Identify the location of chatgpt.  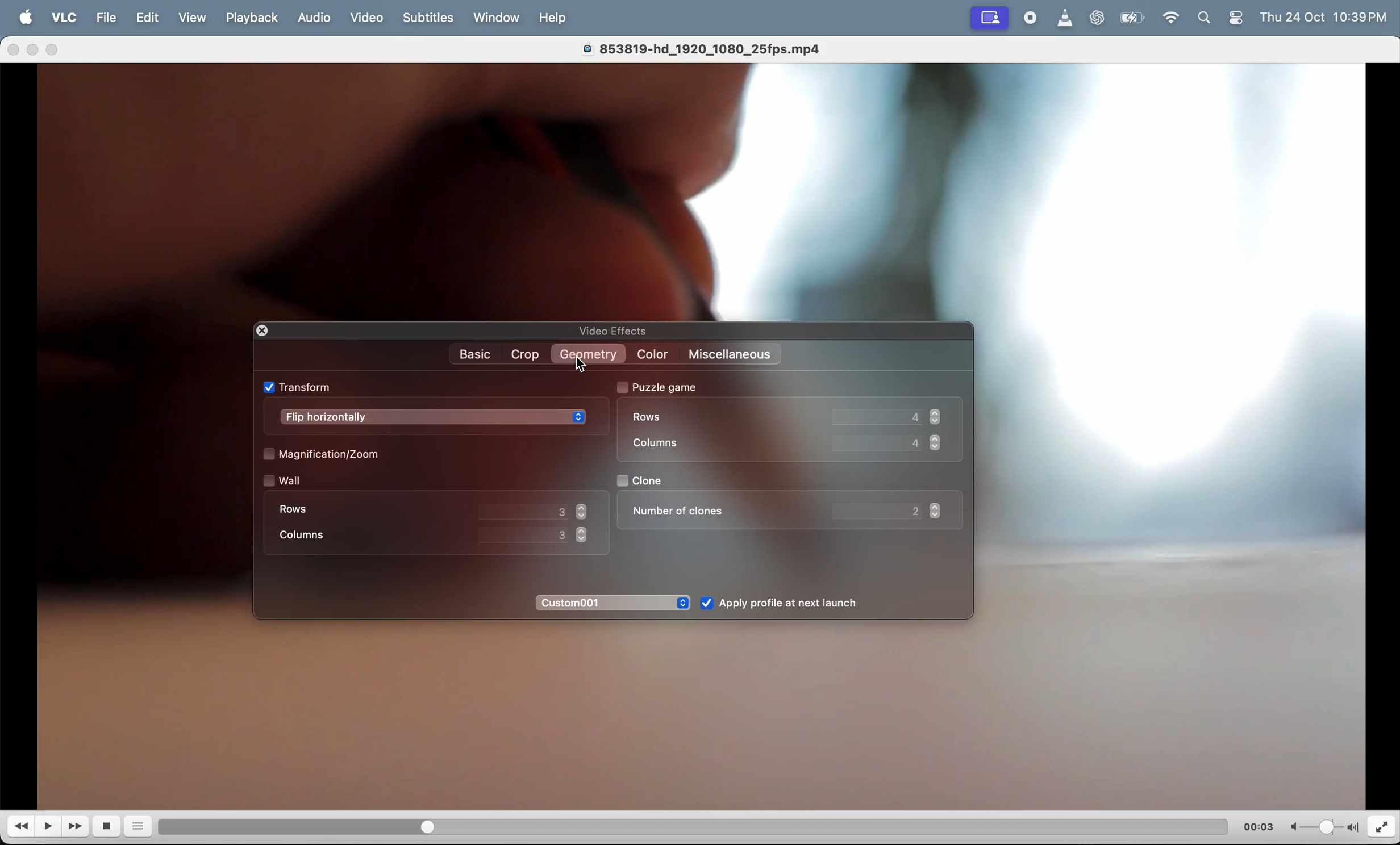
(1101, 19).